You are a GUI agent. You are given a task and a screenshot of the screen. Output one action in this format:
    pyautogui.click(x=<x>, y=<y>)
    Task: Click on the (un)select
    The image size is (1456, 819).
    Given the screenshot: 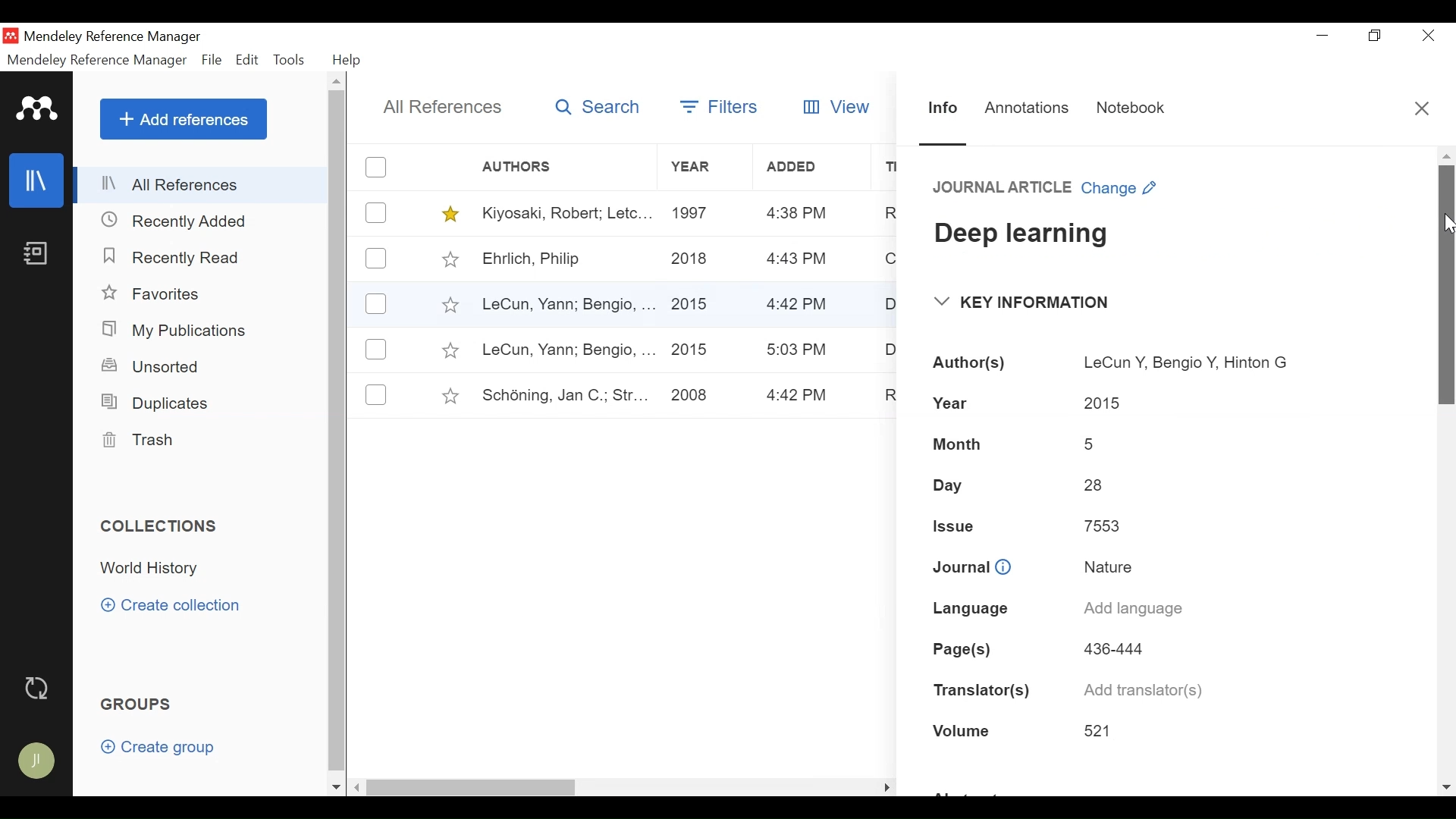 What is the action you would take?
    pyautogui.click(x=375, y=258)
    